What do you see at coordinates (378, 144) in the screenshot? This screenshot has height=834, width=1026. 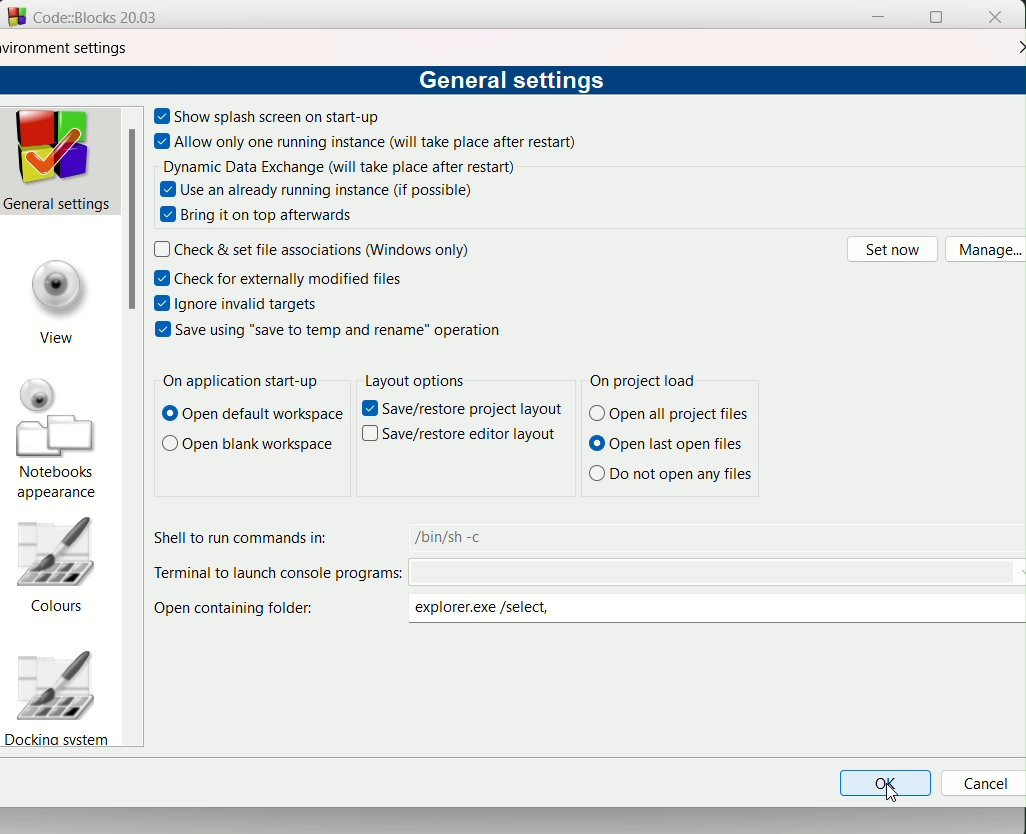 I see `text` at bounding box center [378, 144].